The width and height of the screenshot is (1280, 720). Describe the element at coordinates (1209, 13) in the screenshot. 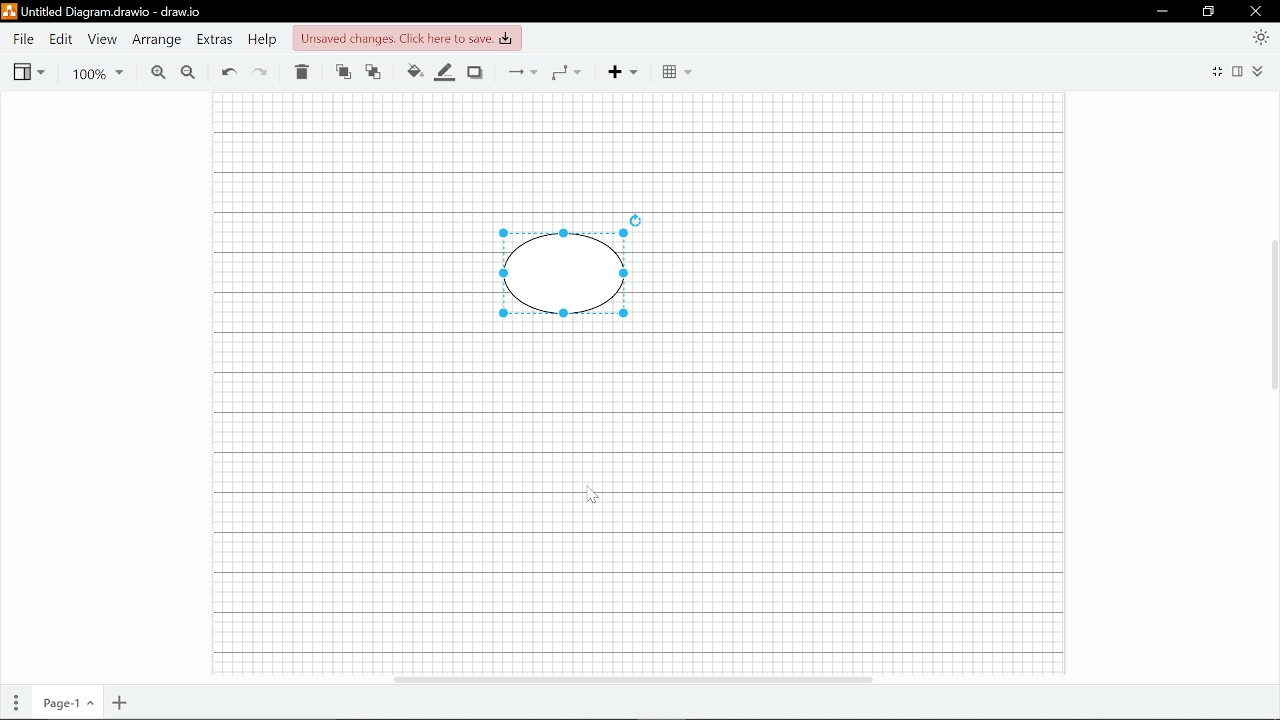

I see `Restore down` at that location.